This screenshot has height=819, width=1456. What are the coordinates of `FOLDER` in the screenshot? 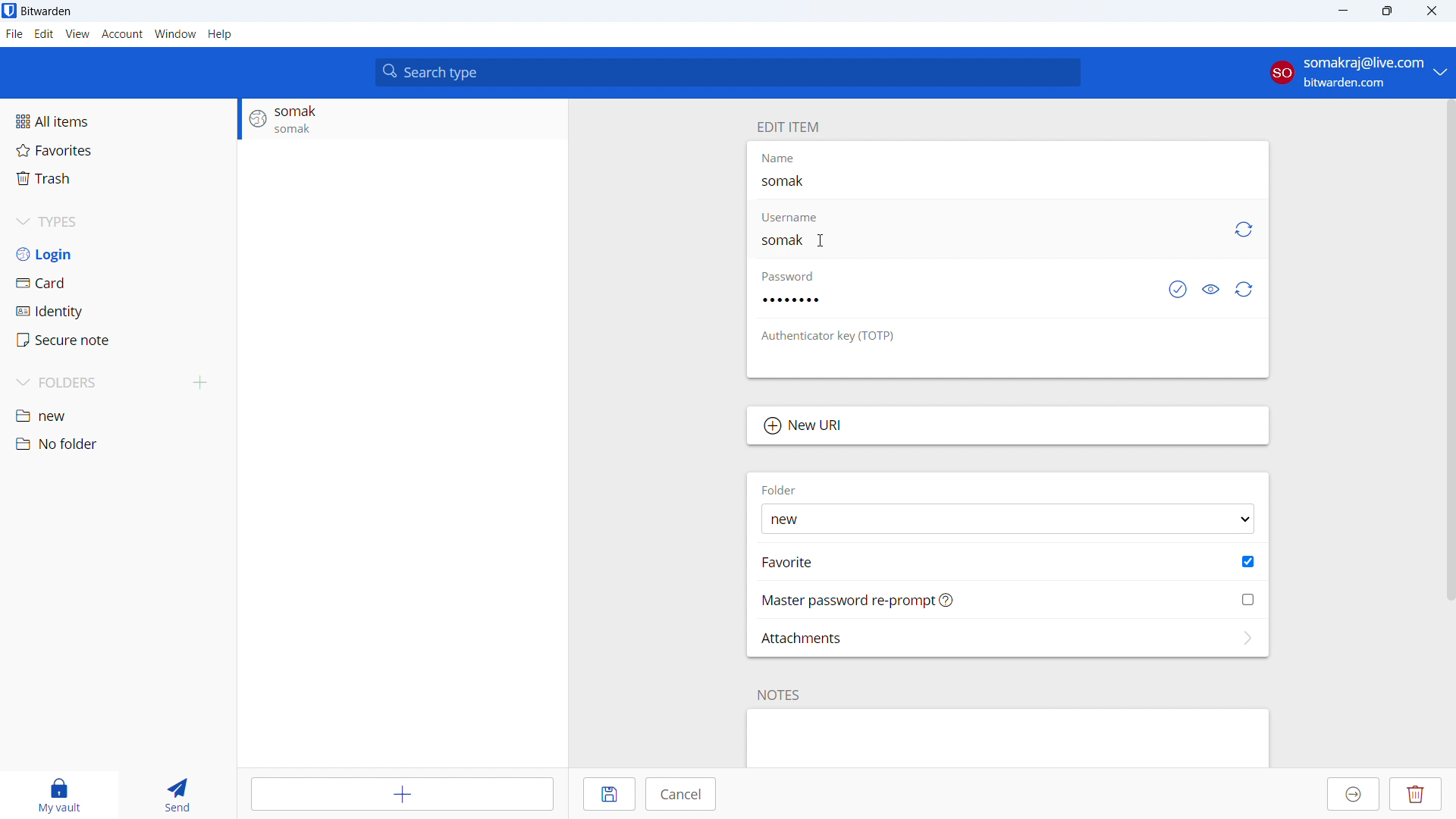 It's located at (779, 488).